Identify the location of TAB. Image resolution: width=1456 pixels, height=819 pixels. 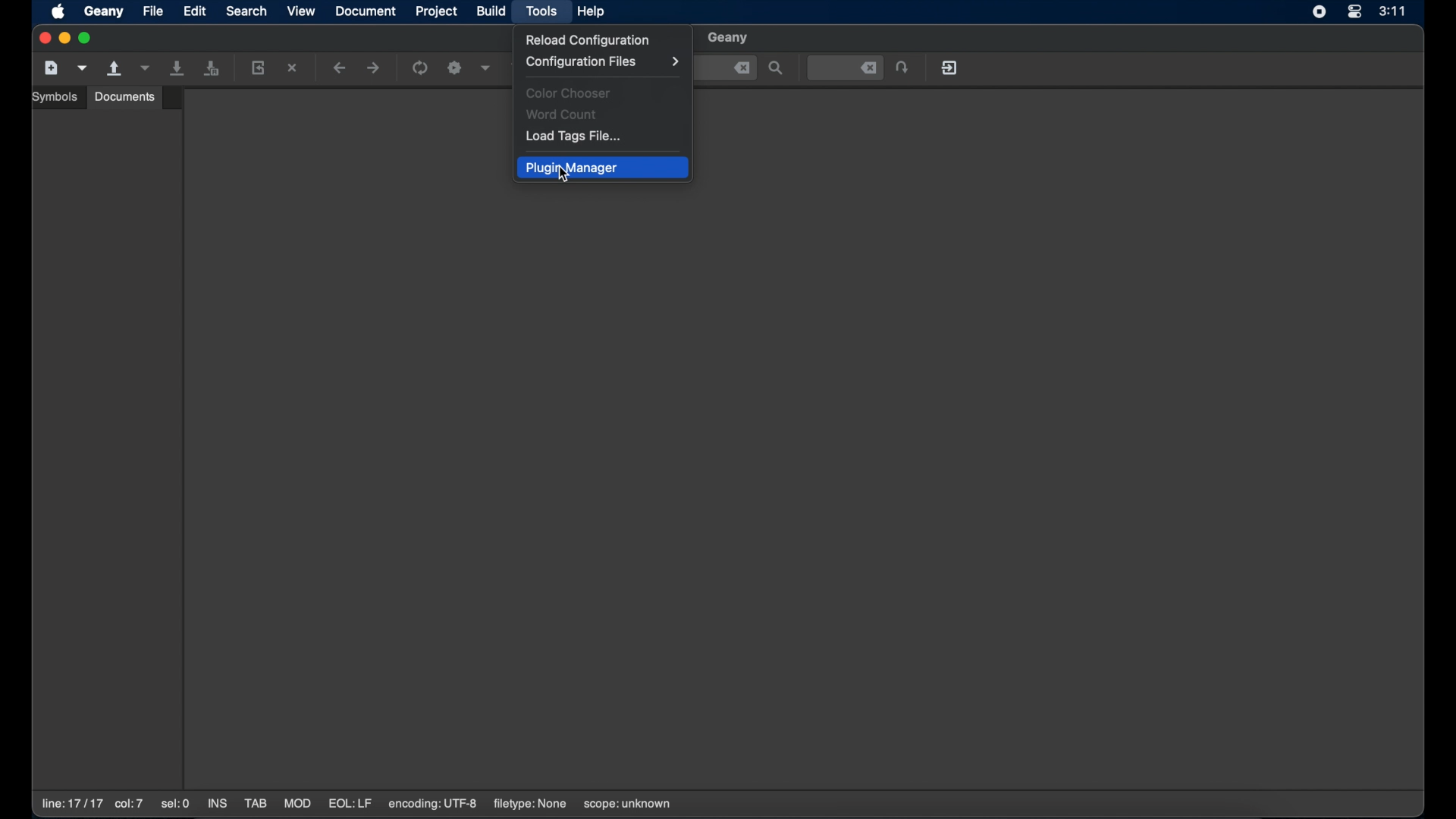
(256, 804).